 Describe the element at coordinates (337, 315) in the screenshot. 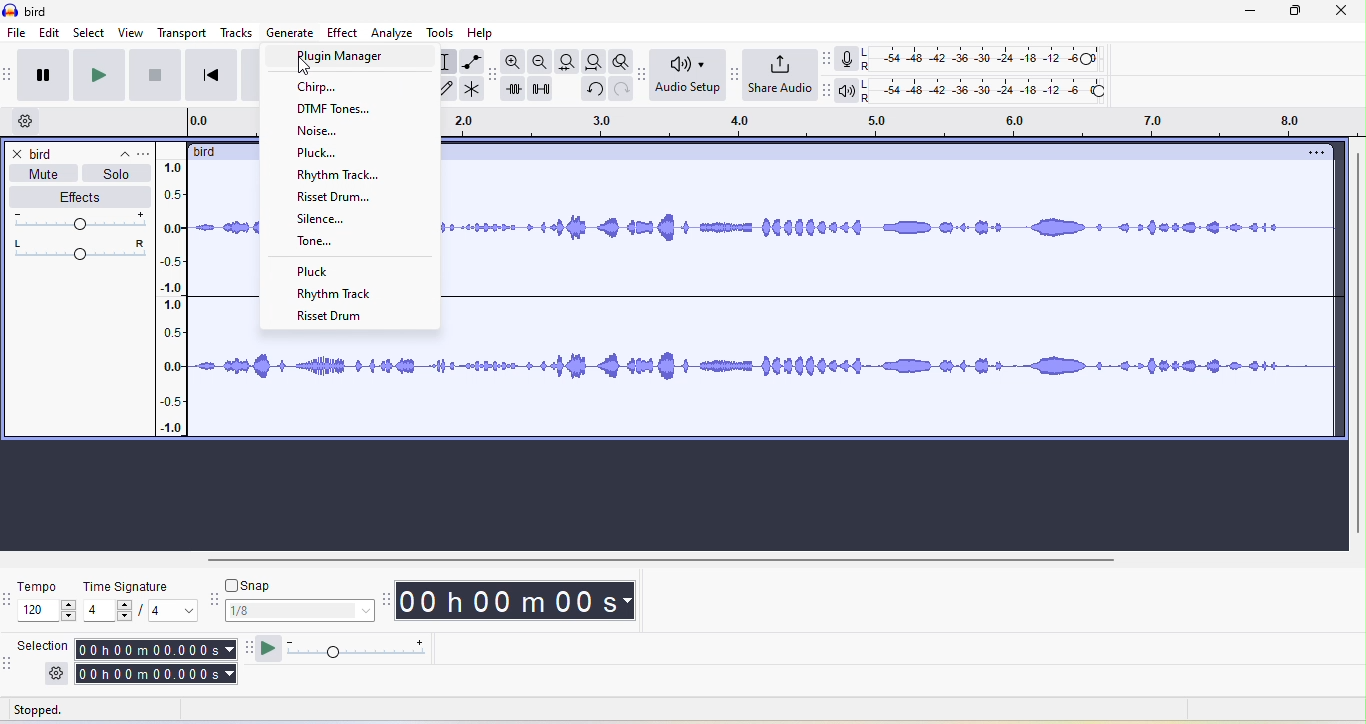

I see `risset drum` at that location.